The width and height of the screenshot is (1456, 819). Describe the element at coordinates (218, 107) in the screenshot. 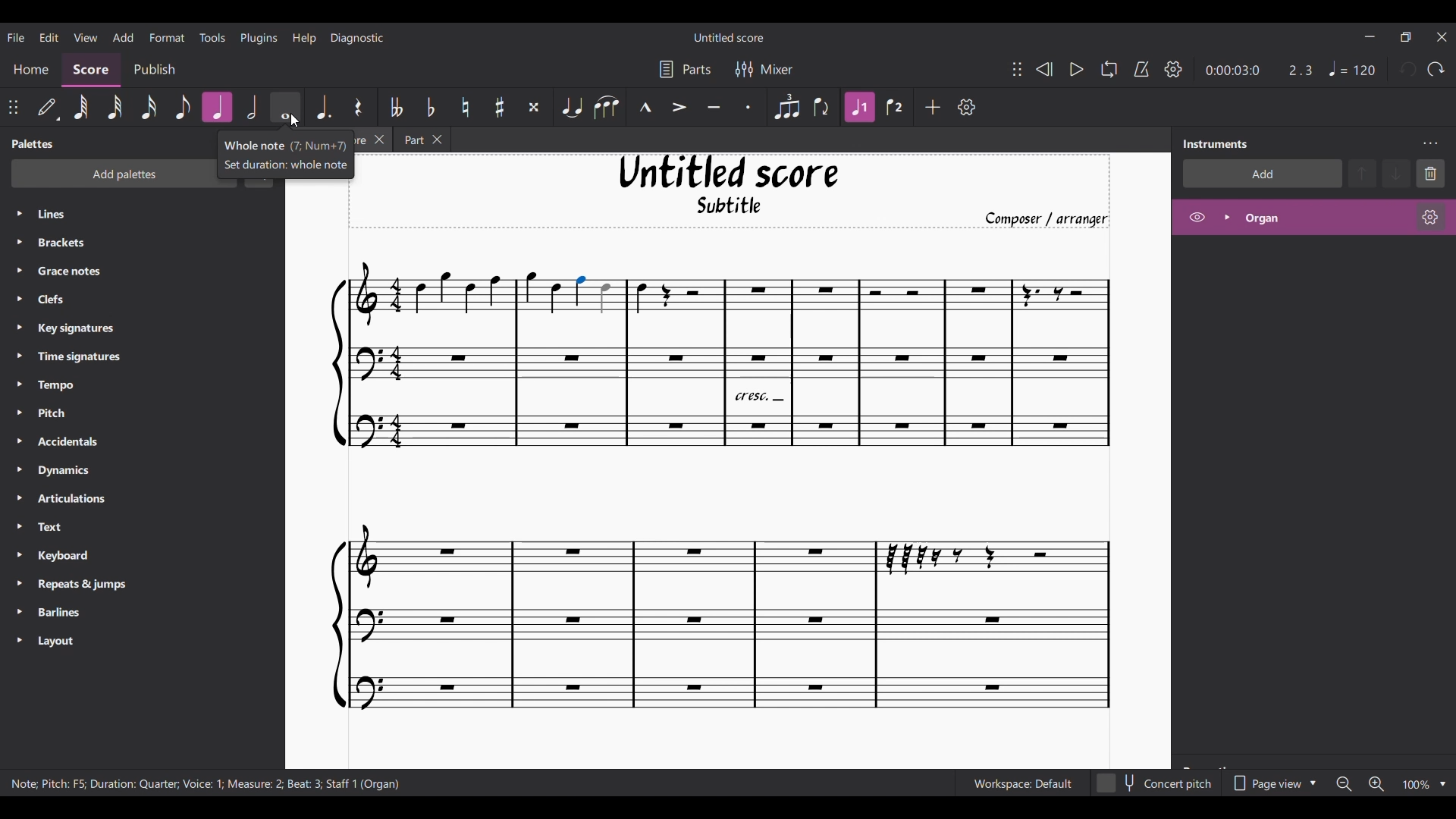

I see `Highlighted after current selection` at that location.